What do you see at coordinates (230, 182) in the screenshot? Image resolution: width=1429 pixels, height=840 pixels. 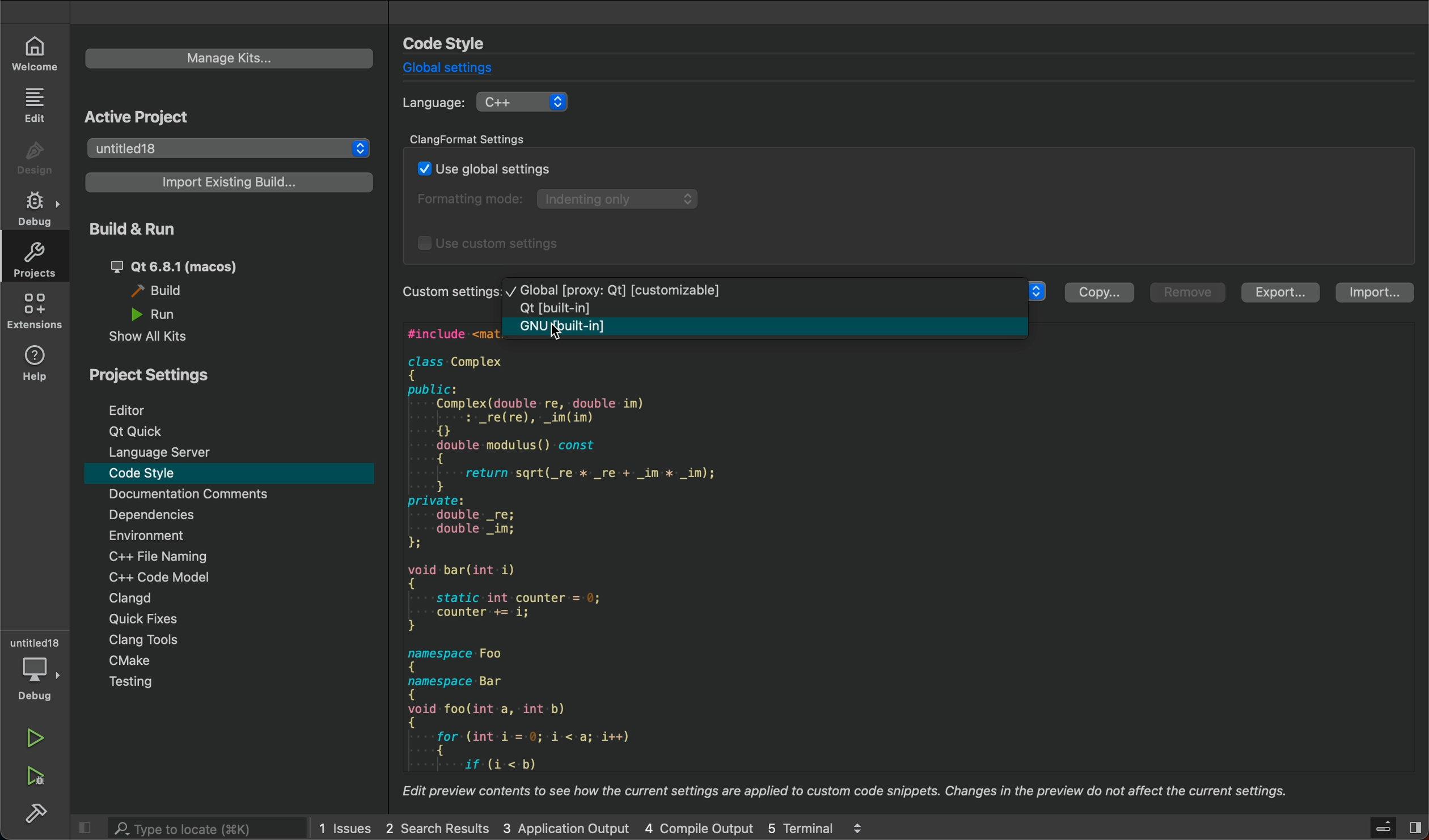 I see `import existing build` at bounding box center [230, 182].